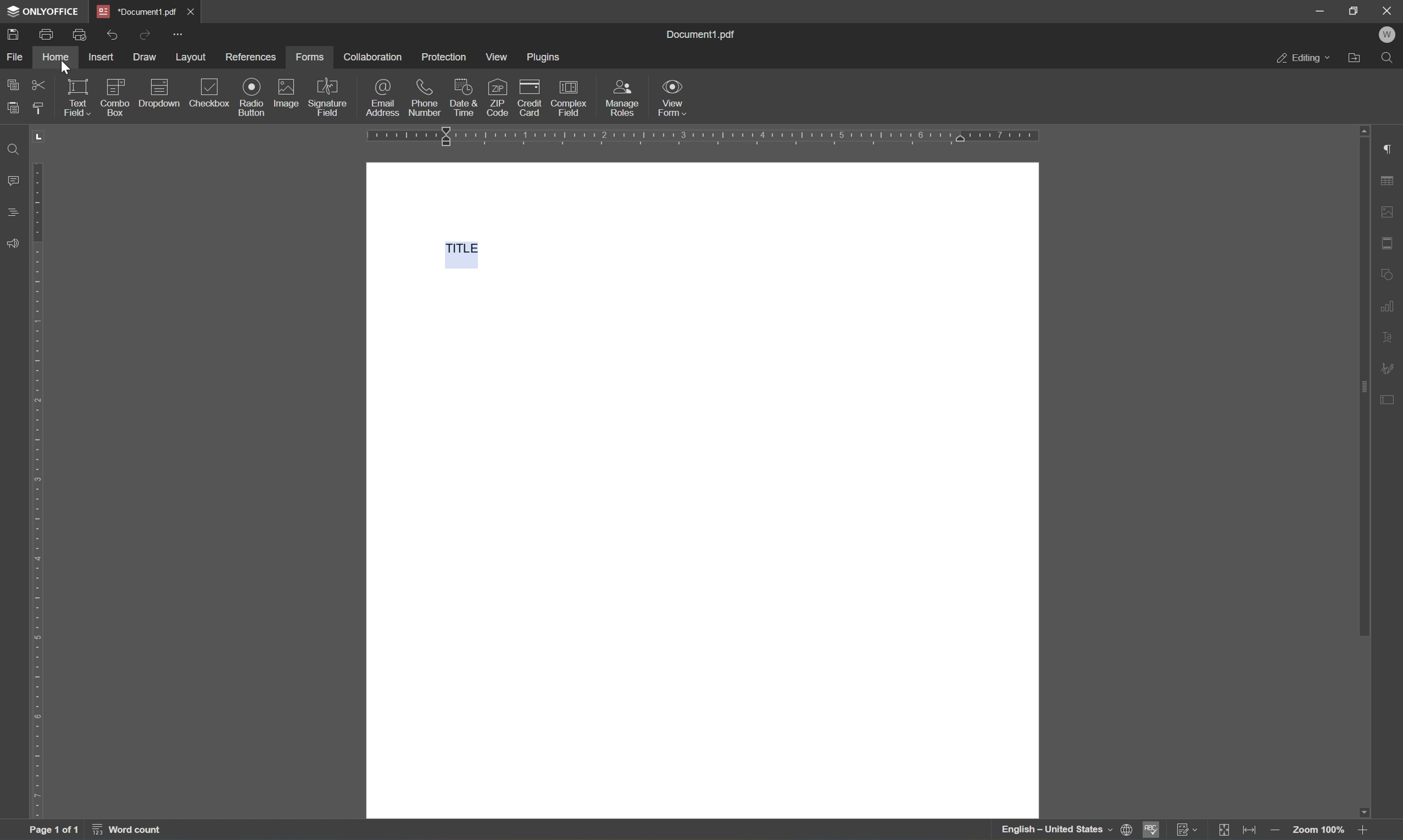  Describe the element at coordinates (40, 140) in the screenshot. I see `TAB STOP` at that location.